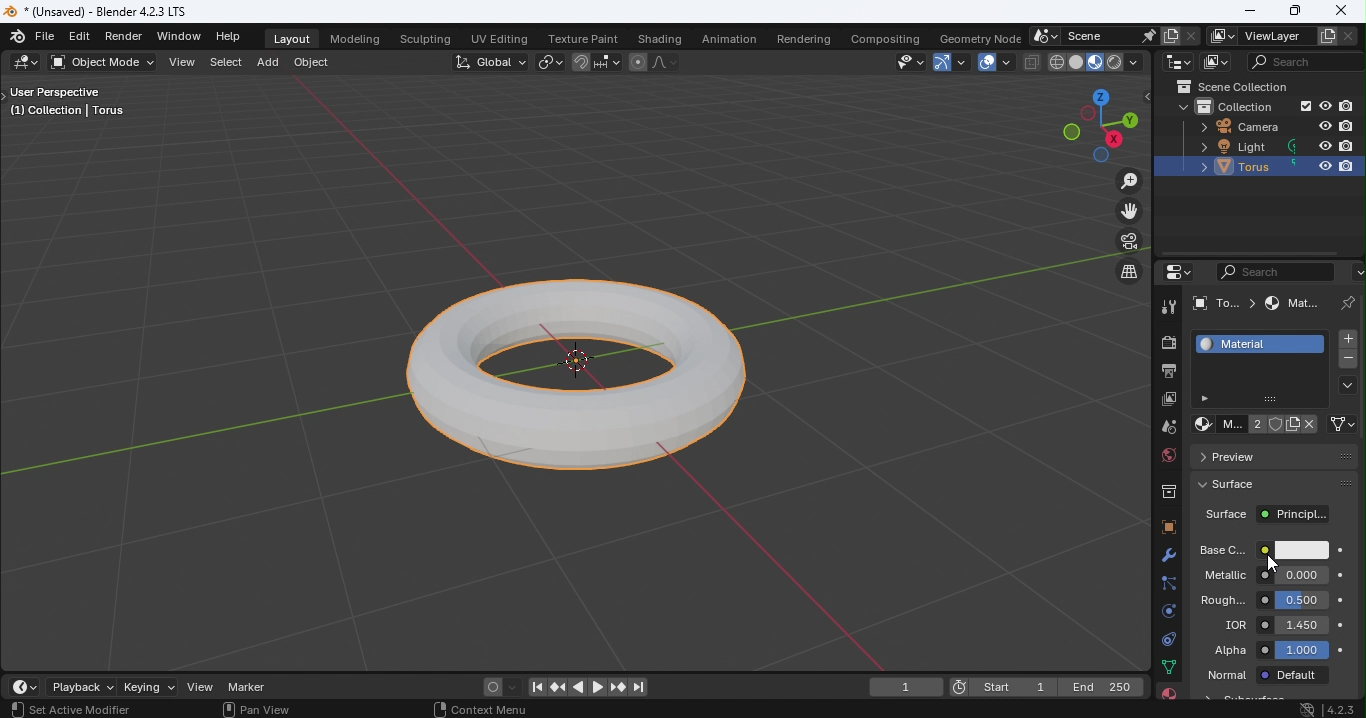 Image resolution: width=1366 pixels, height=718 pixels. I want to click on Pan view, so click(255, 710).